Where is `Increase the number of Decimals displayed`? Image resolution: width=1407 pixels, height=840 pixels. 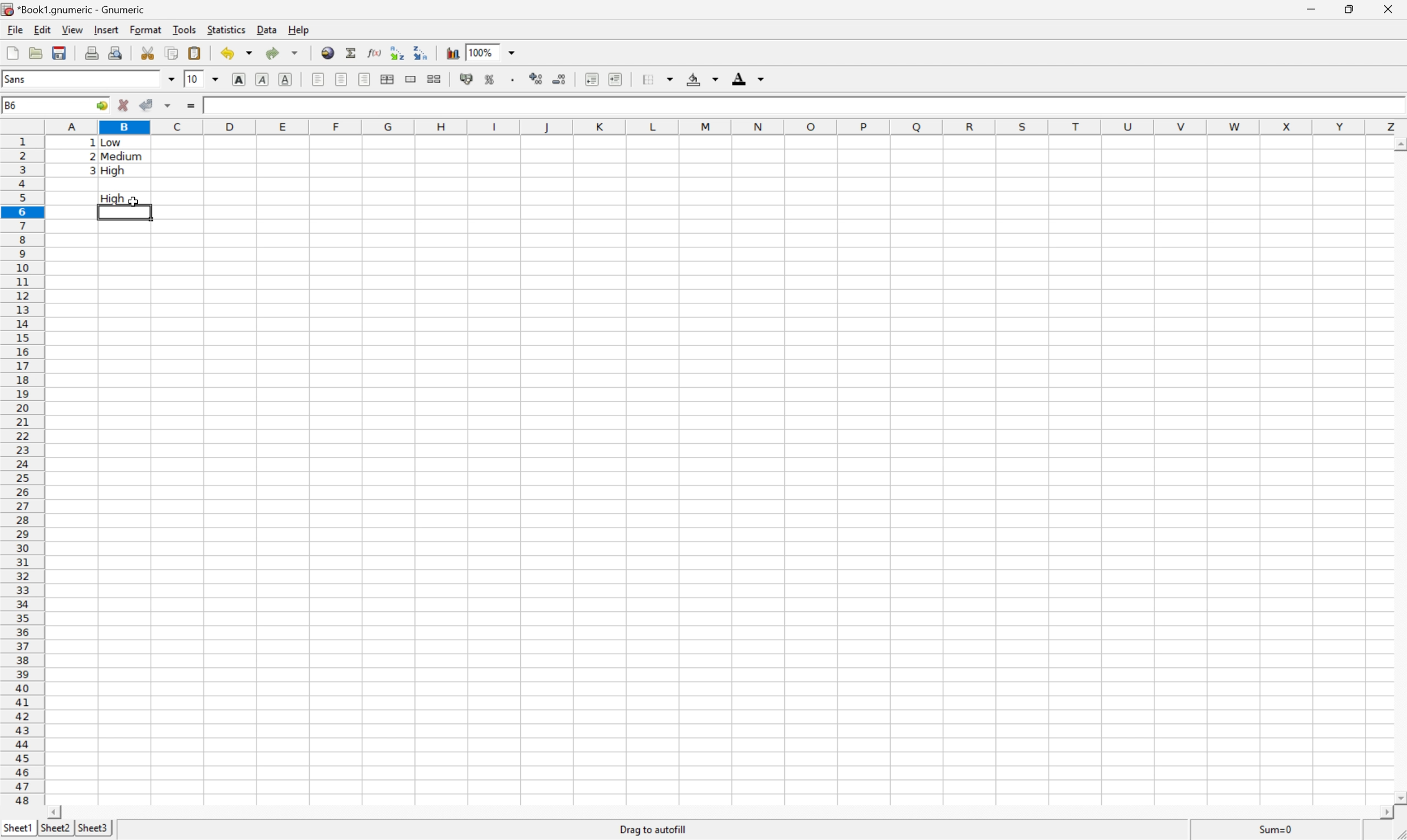
Increase the number of Decimals displayed is located at coordinates (537, 79).